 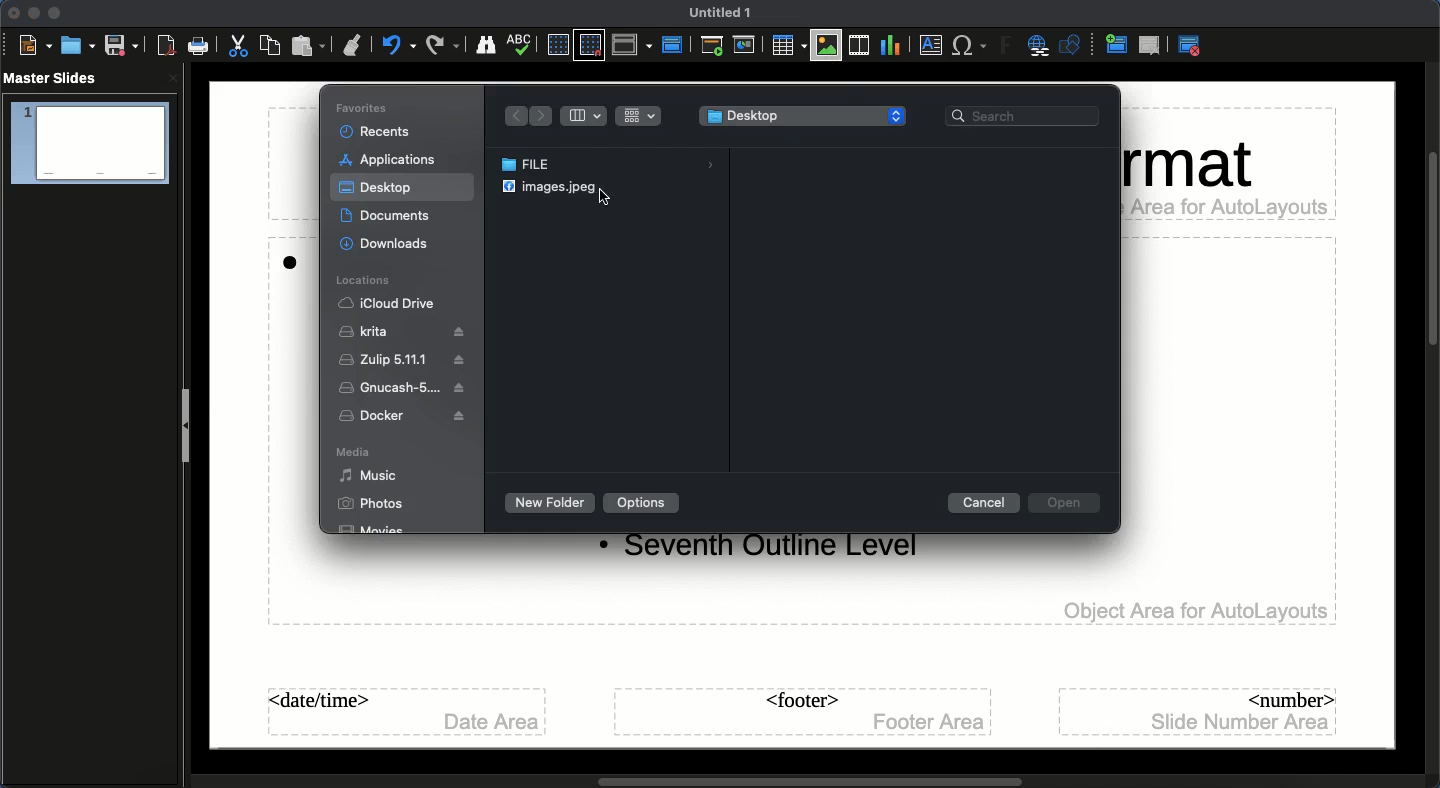 What do you see at coordinates (364, 107) in the screenshot?
I see `Favorites` at bounding box center [364, 107].